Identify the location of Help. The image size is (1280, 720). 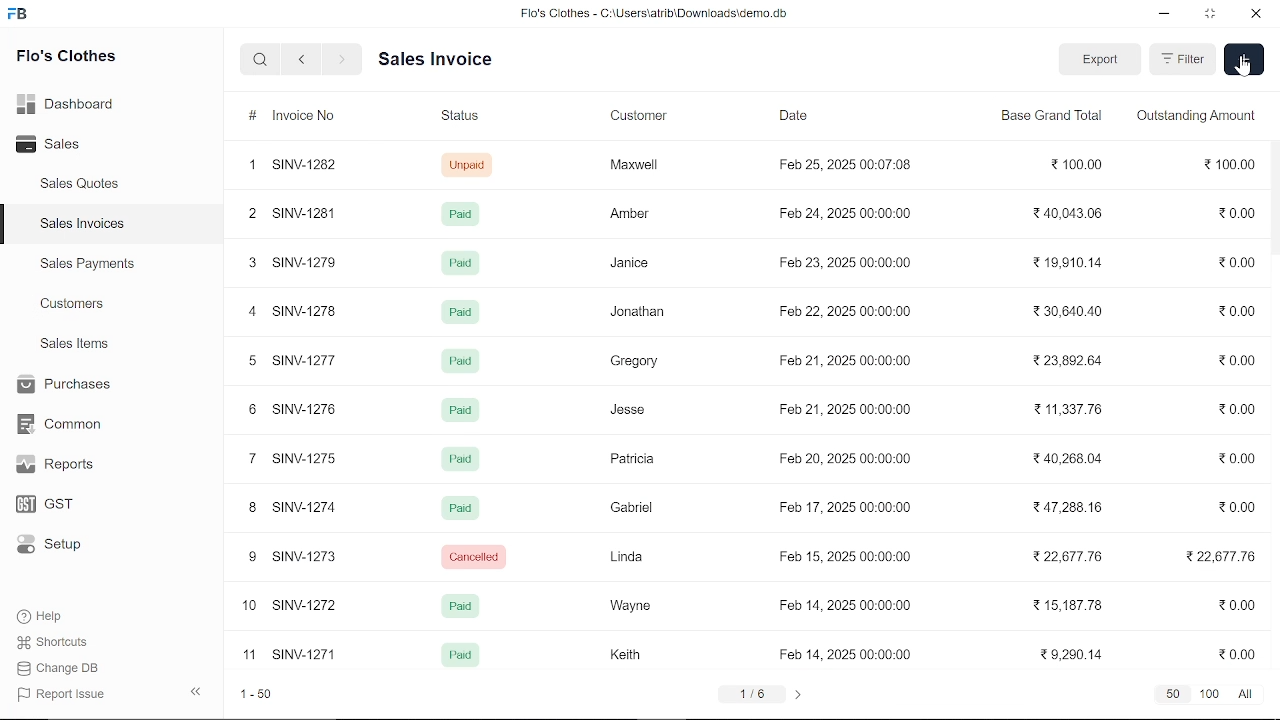
(53, 616).